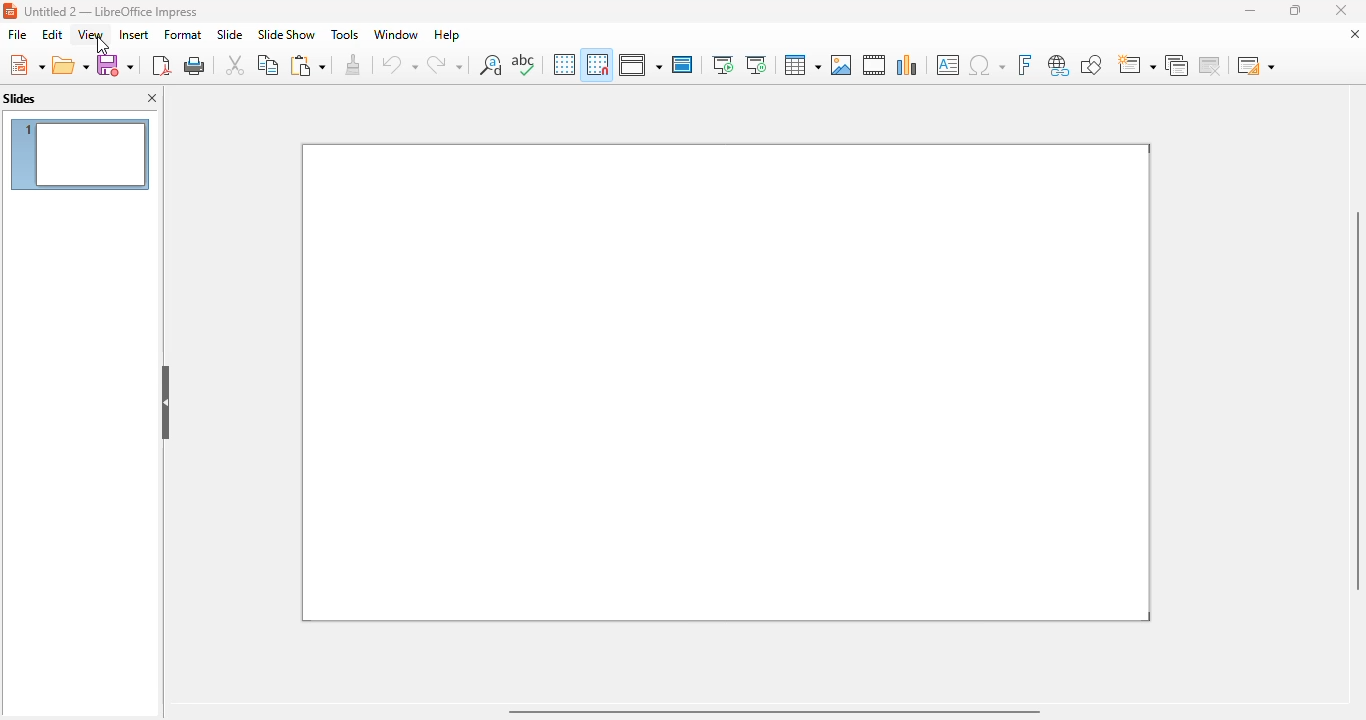 This screenshot has height=720, width=1366. Describe the element at coordinates (445, 64) in the screenshot. I see `redo` at that location.